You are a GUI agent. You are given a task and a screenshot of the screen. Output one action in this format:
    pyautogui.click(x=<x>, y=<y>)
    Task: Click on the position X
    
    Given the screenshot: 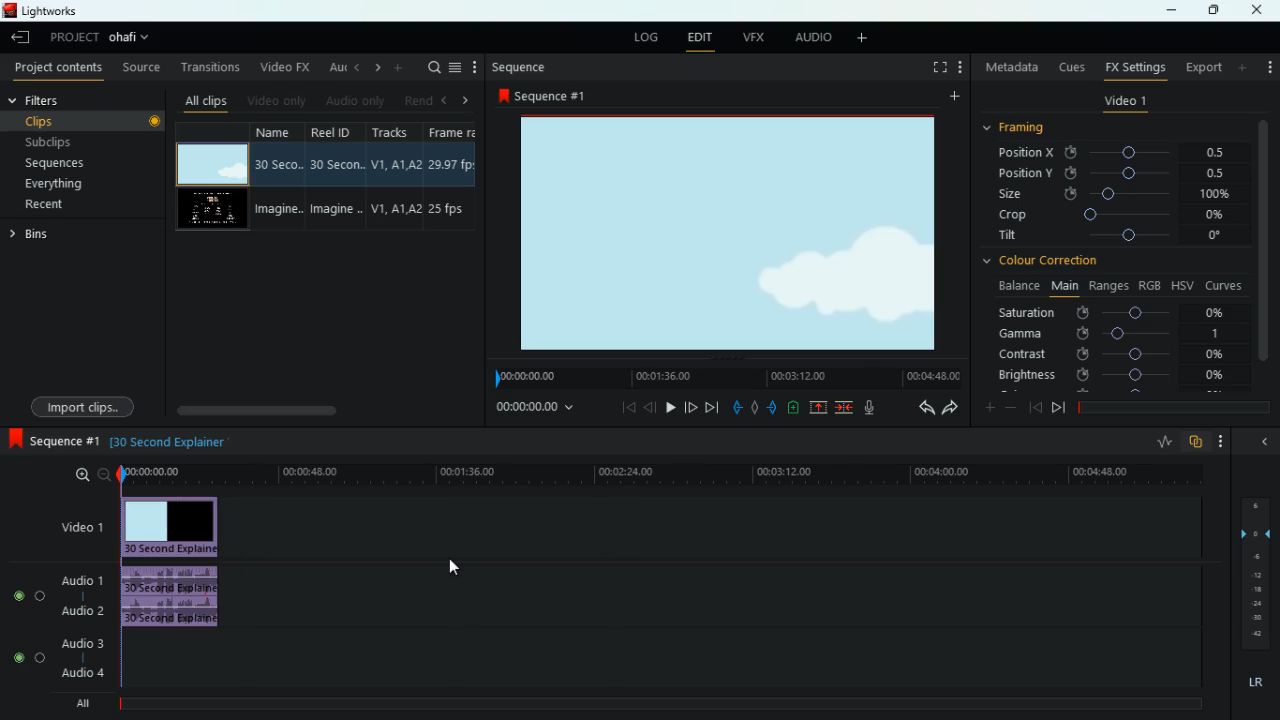 What is the action you would take?
    pyautogui.click(x=1109, y=153)
    